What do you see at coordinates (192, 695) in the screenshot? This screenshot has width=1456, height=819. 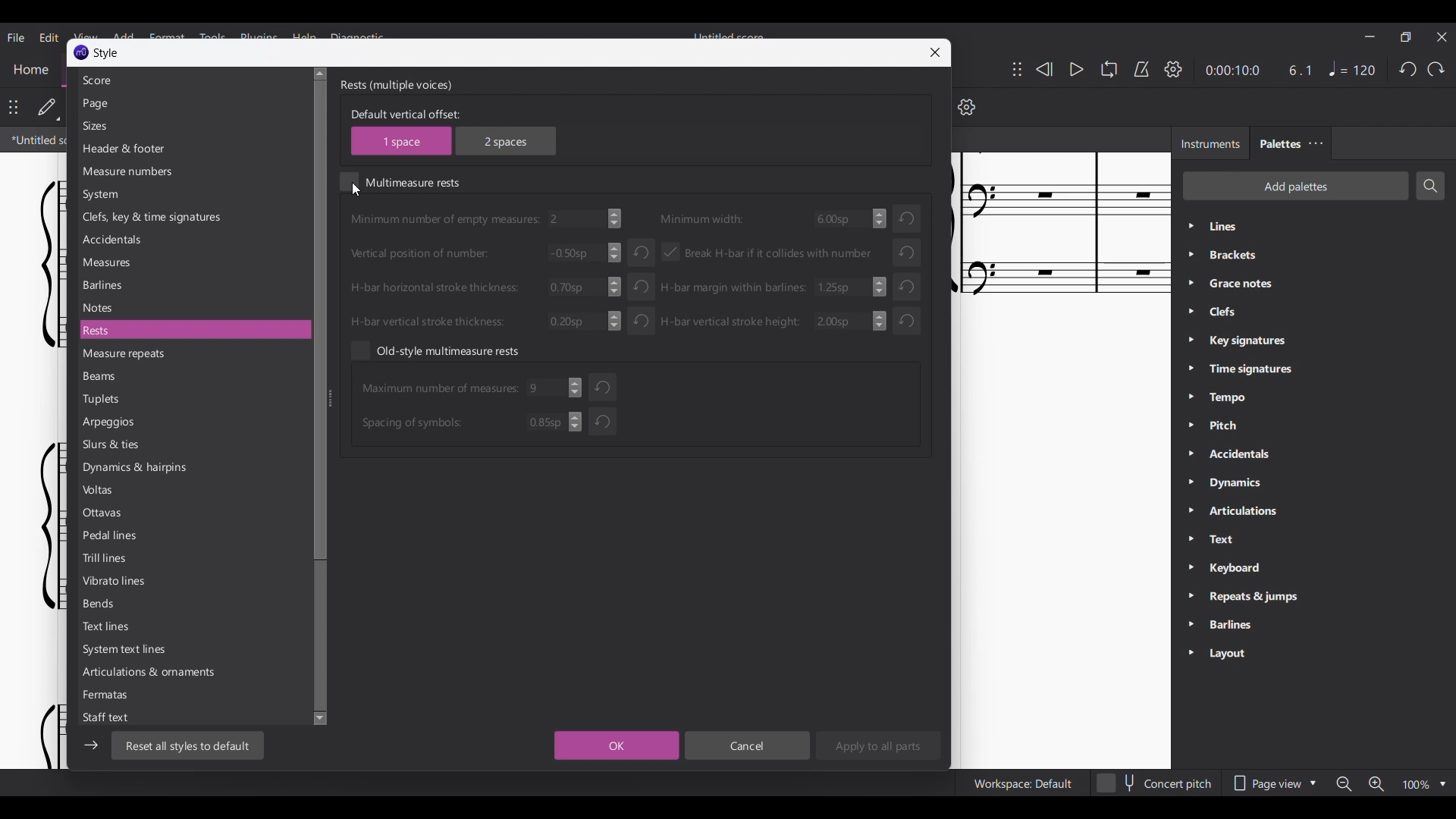 I see `Fermatas` at bounding box center [192, 695].